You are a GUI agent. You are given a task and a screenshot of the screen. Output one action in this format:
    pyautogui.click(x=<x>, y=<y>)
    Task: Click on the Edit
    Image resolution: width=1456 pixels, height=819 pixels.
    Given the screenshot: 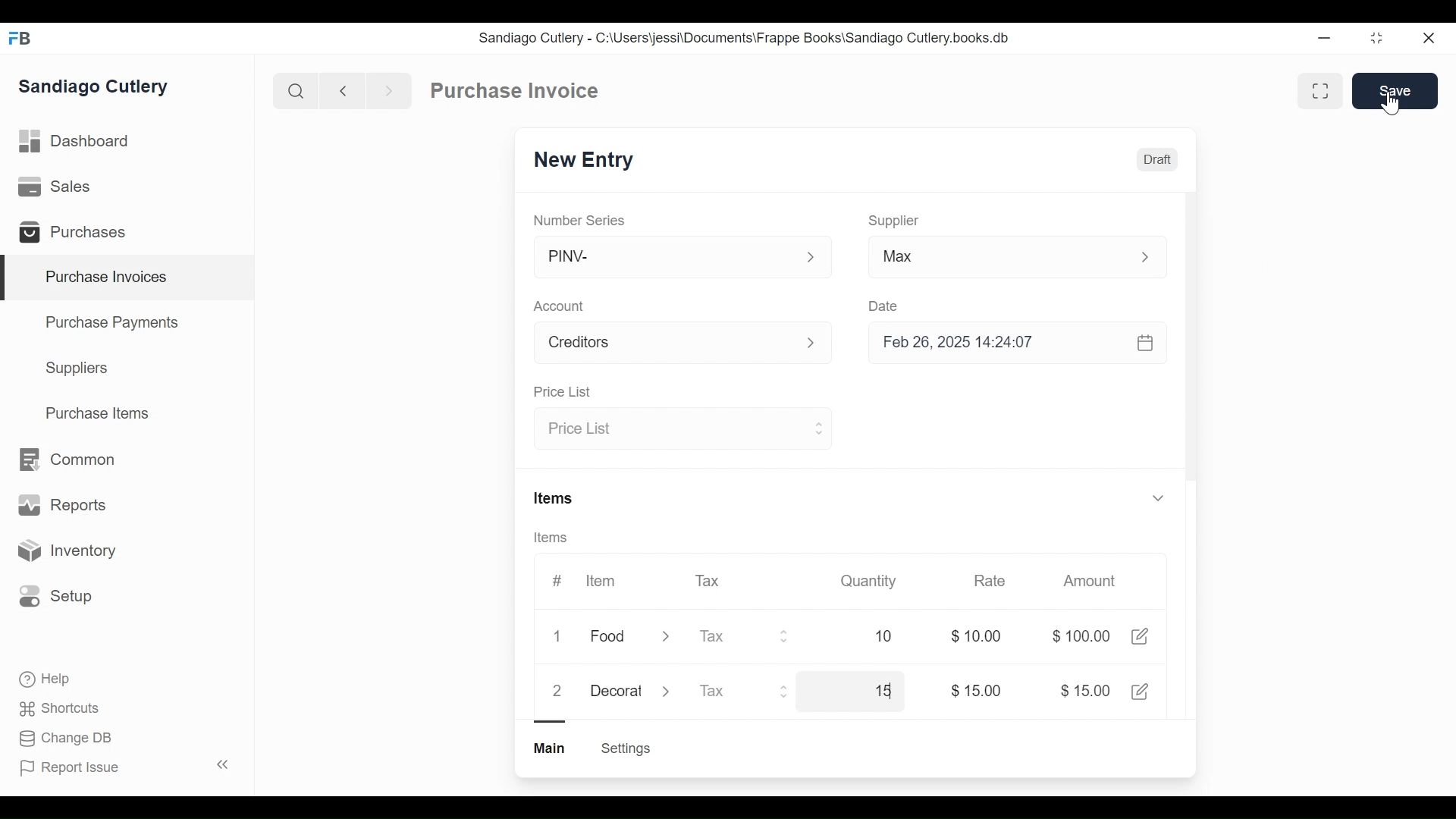 What is the action you would take?
    pyautogui.click(x=1139, y=636)
    